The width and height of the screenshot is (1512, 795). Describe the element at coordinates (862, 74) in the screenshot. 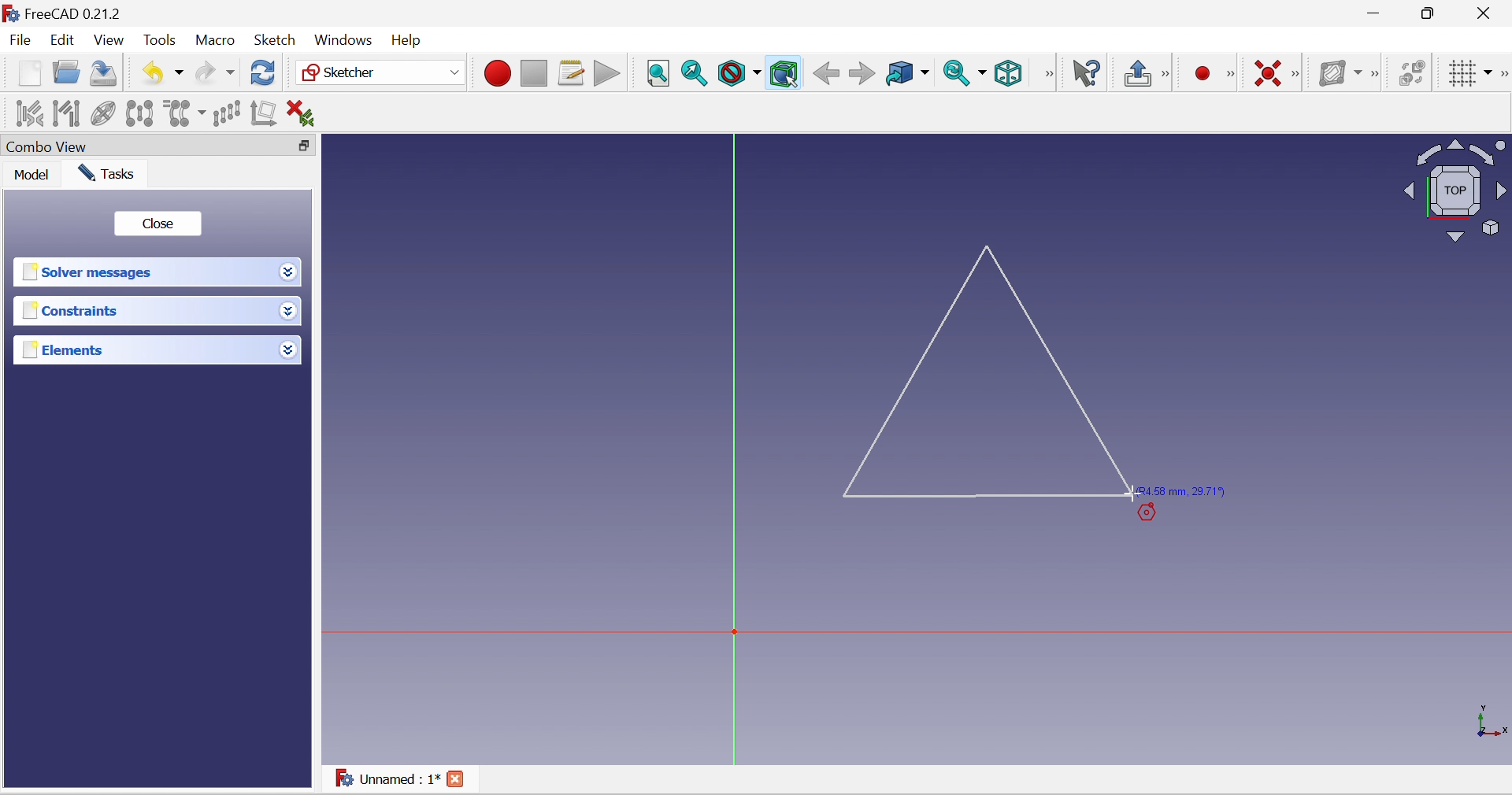

I see `Forward` at that location.